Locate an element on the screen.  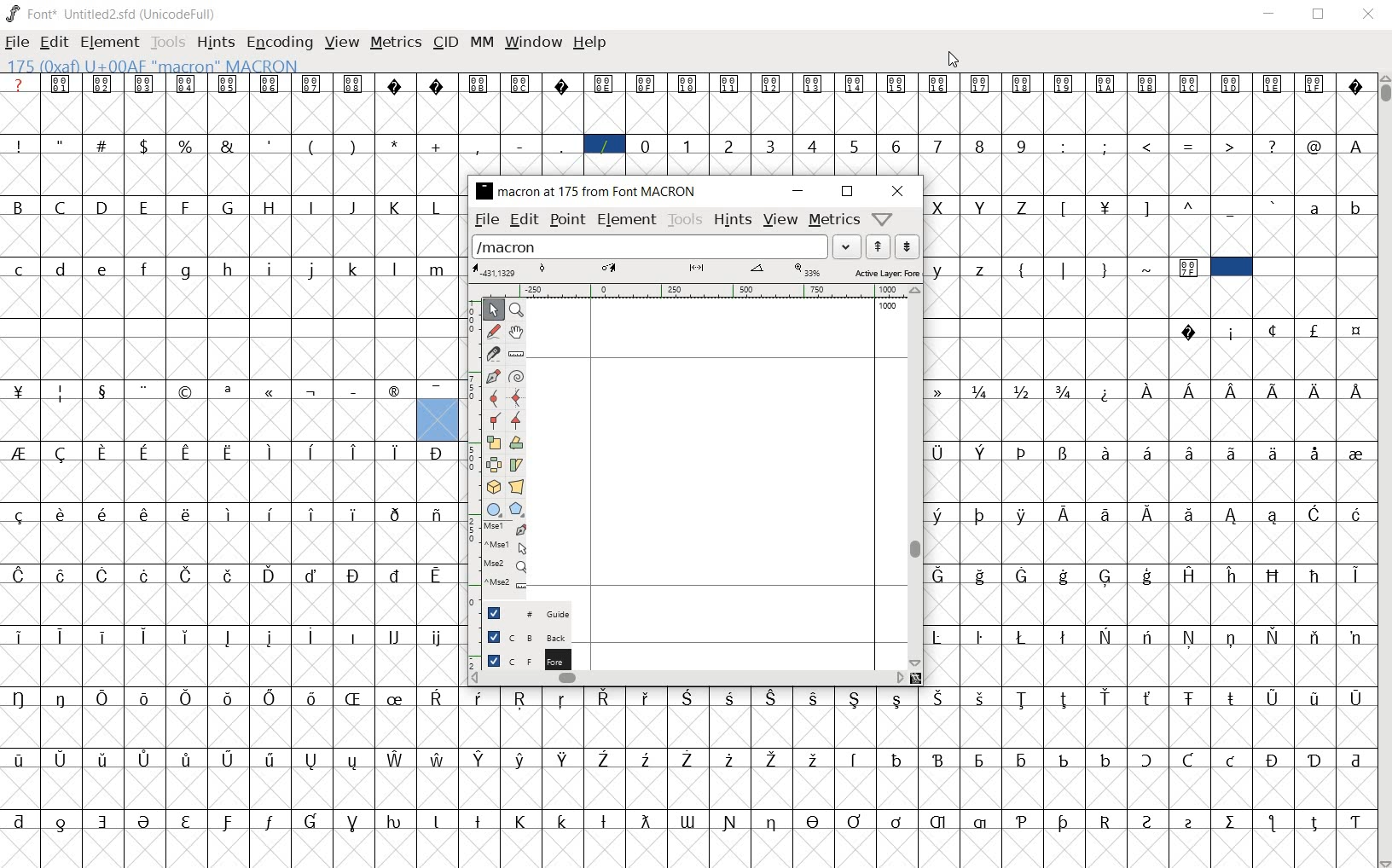
6 is located at coordinates (897, 146).